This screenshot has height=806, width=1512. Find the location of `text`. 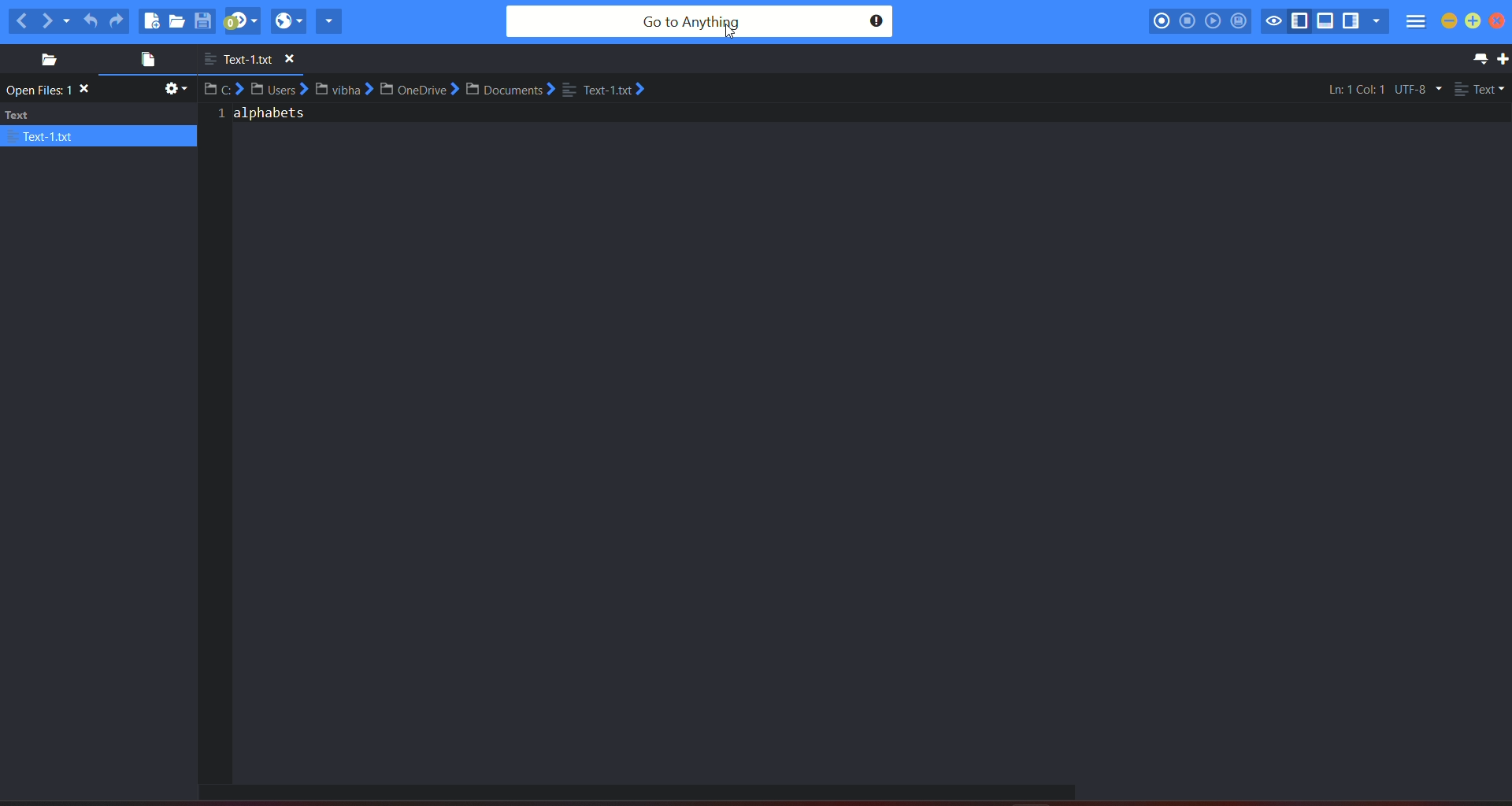

text is located at coordinates (52, 91).